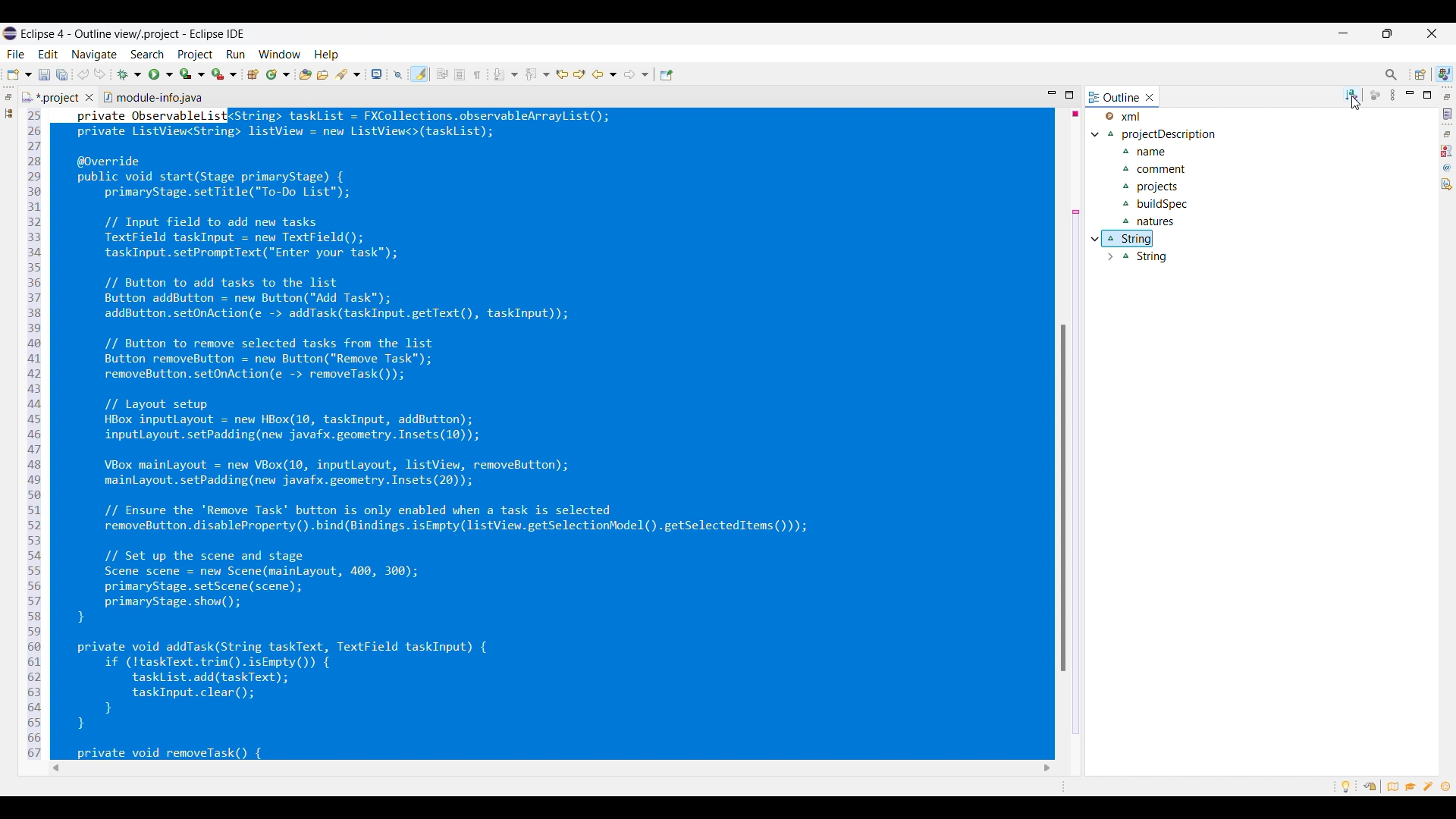  Describe the element at coordinates (1377, 95) in the screenshot. I see `icon` at that location.